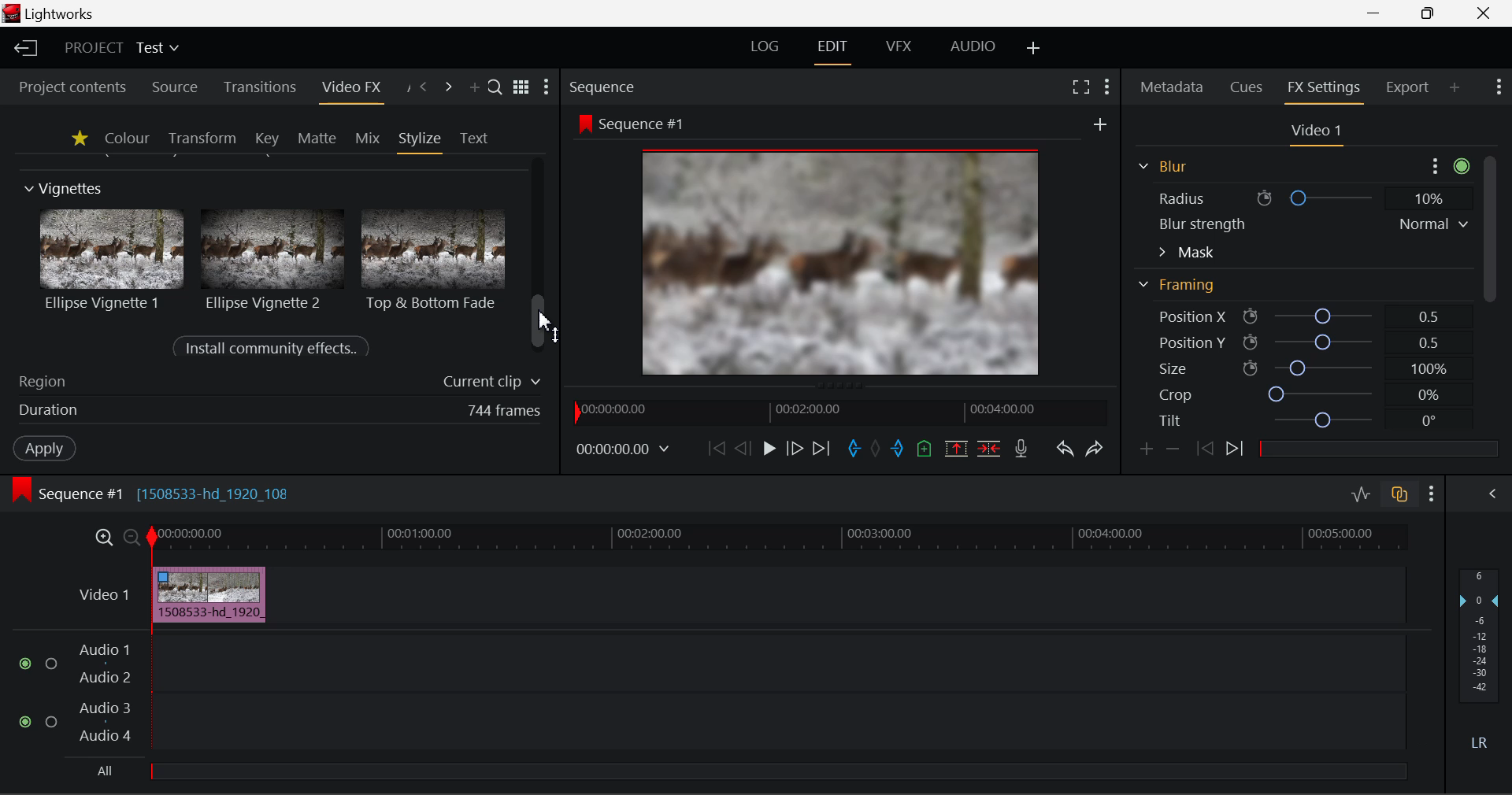 This screenshot has width=1512, height=795. I want to click on Next Panel, so click(449, 87).